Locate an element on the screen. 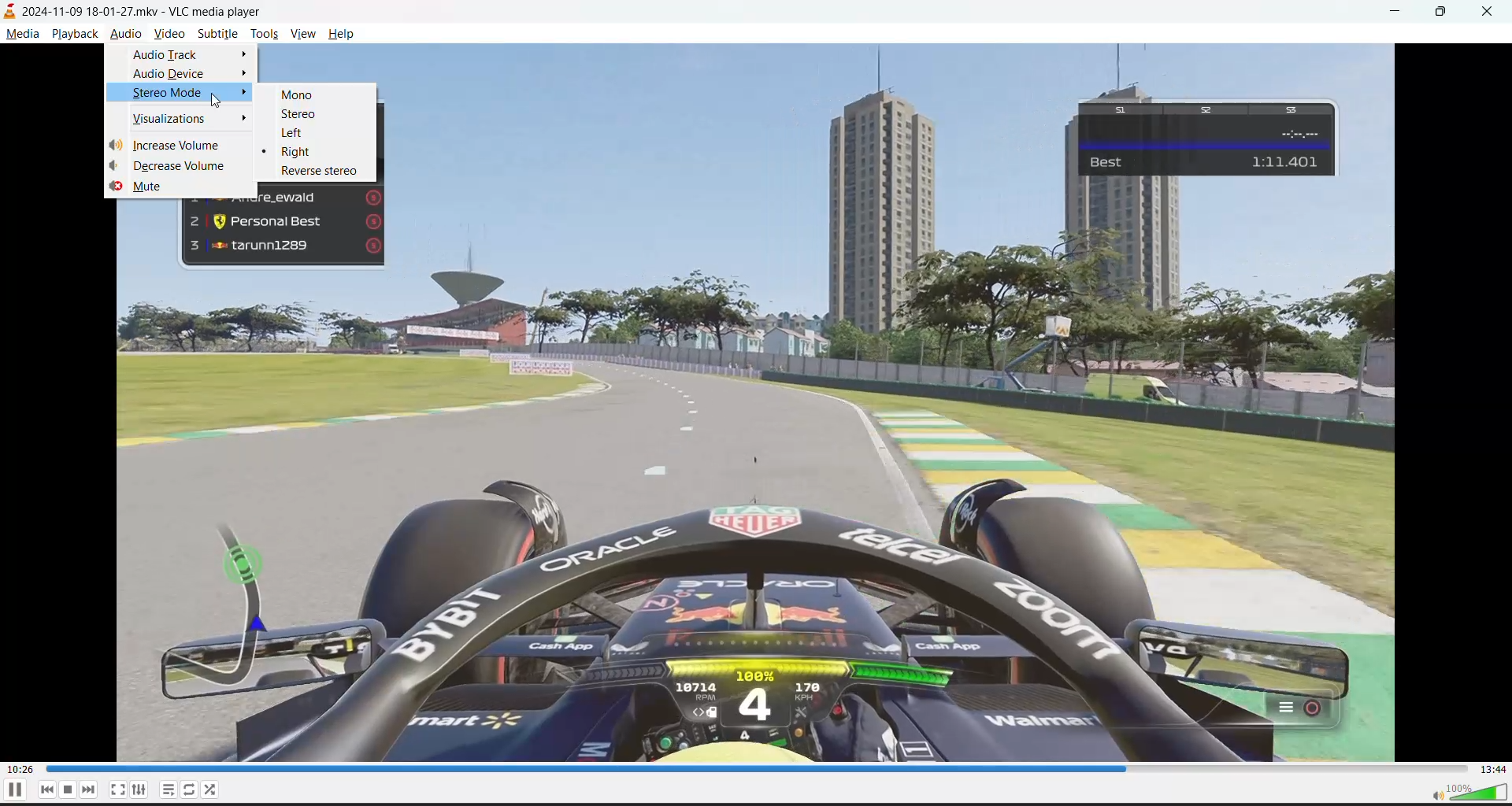 The height and width of the screenshot is (806, 1512). preview is located at coordinates (324, 64).